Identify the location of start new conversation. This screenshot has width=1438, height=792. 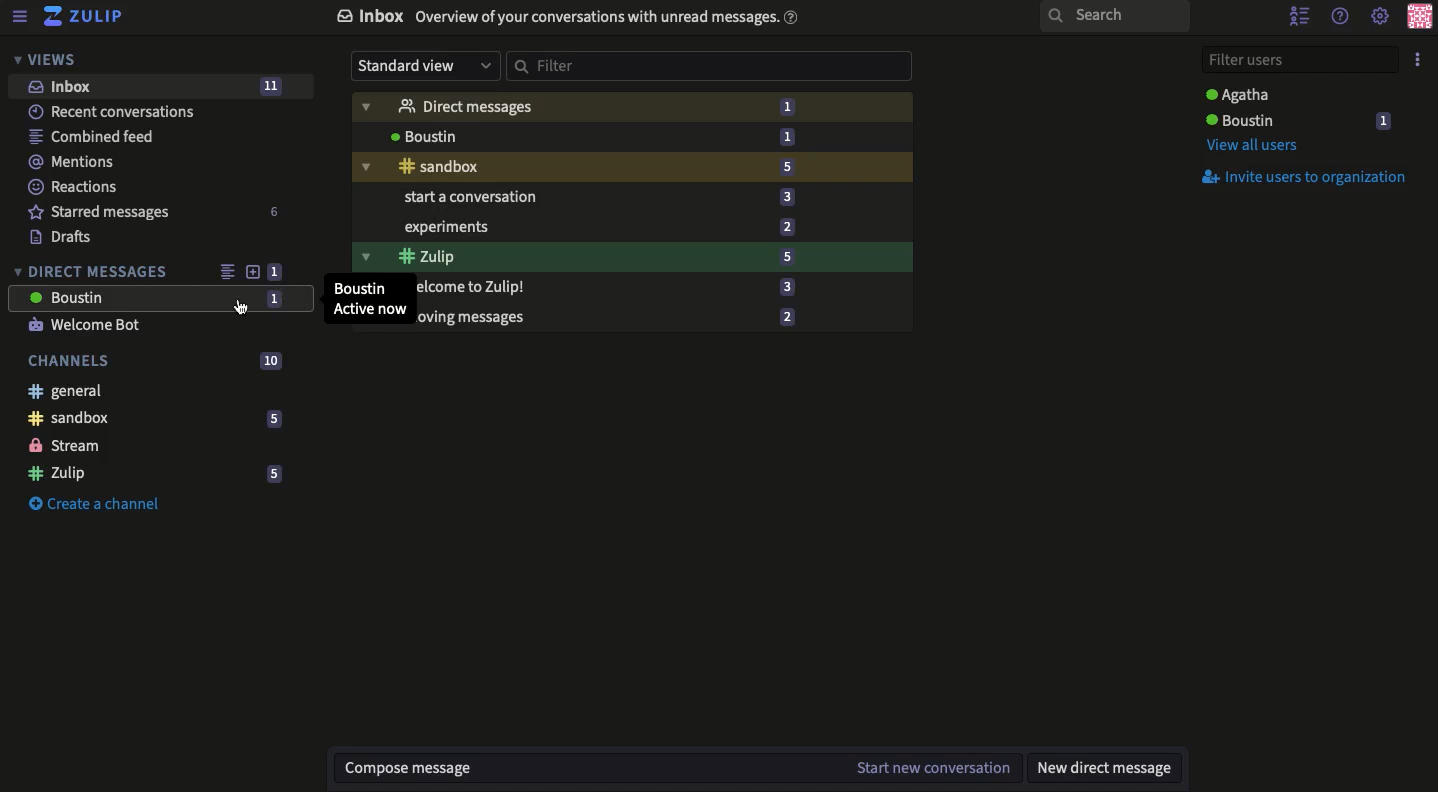
(932, 767).